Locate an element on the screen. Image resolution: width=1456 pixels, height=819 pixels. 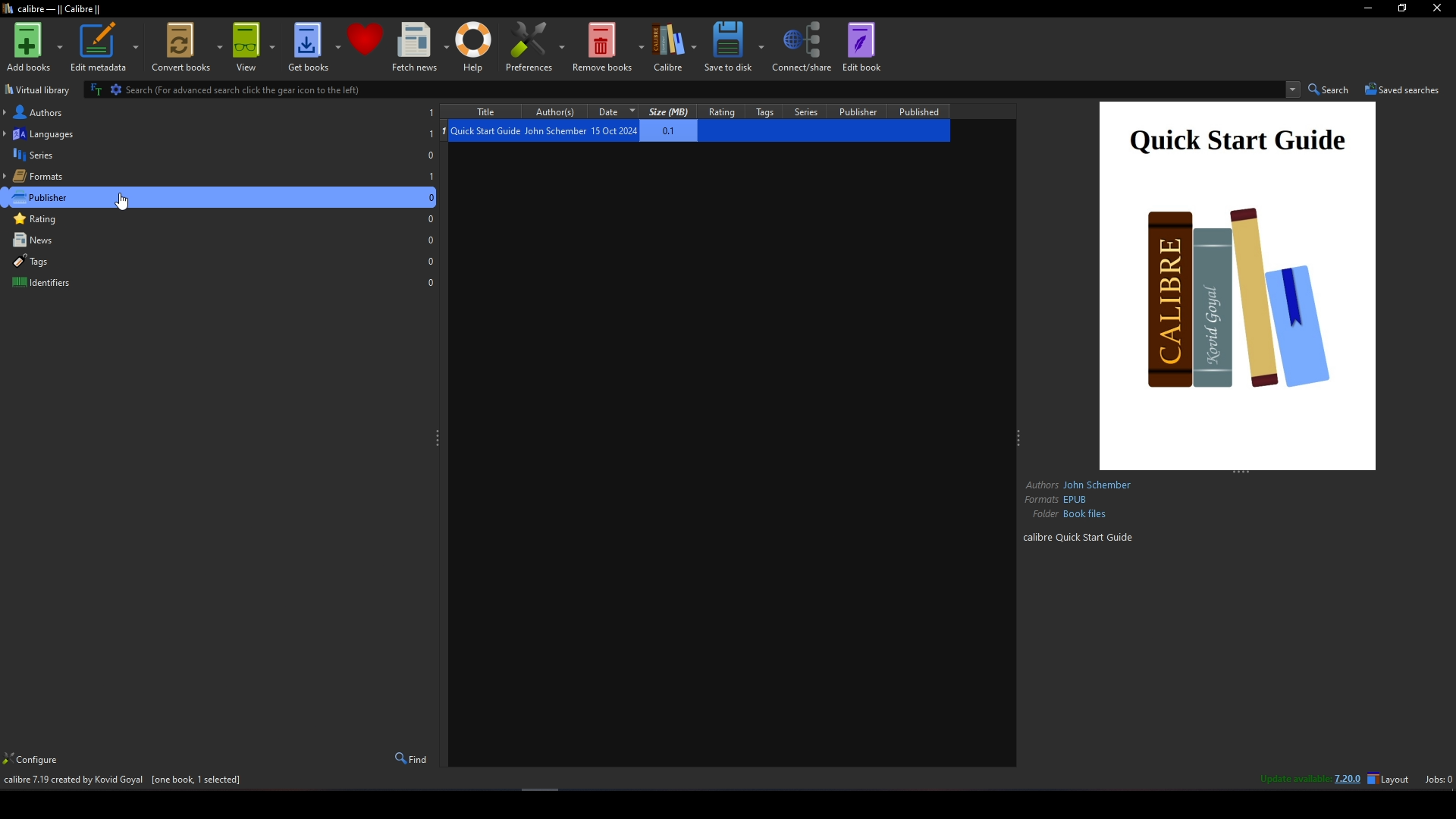
Jobs is located at coordinates (1439, 780).